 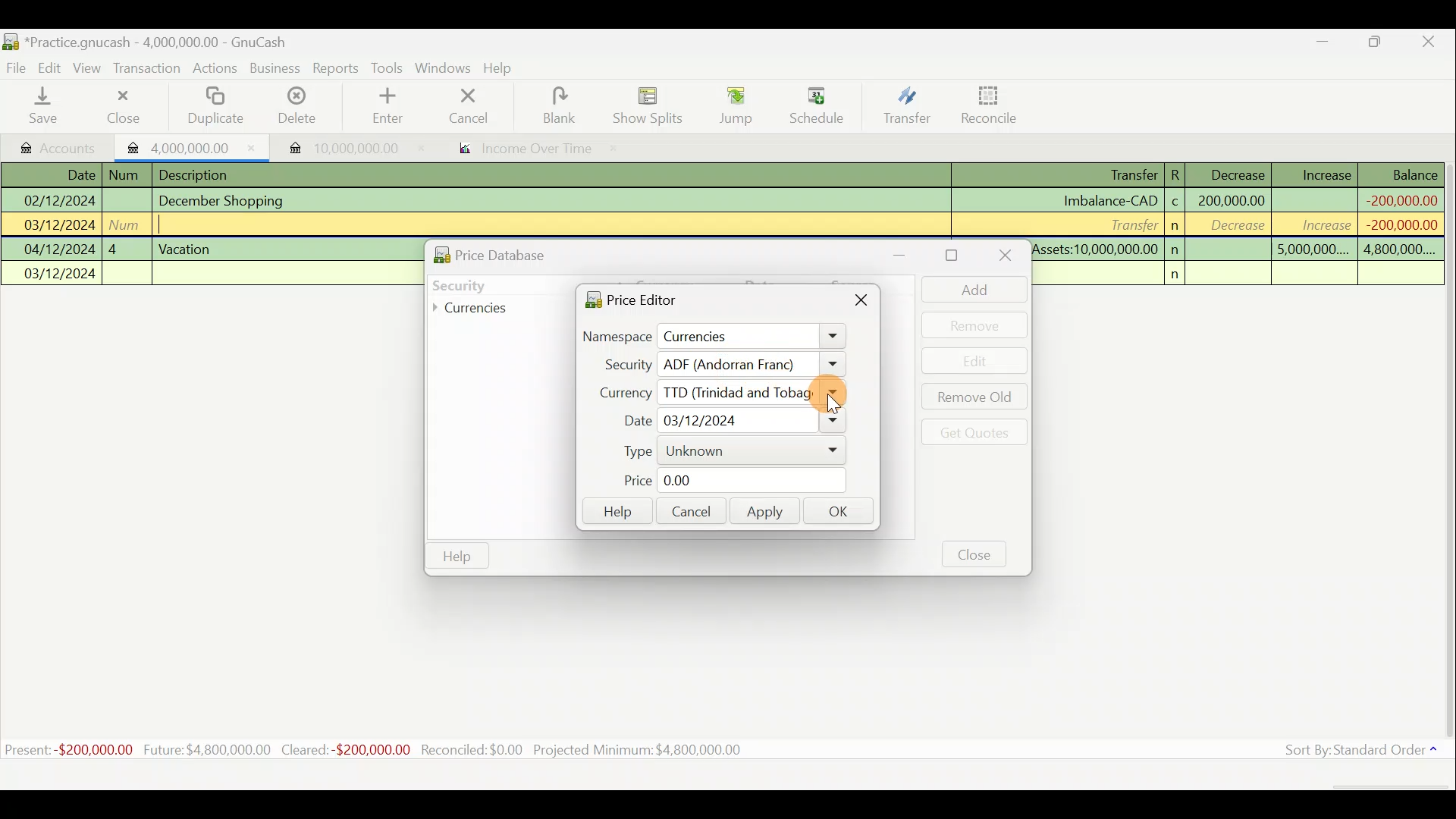 What do you see at coordinates (1396, 224) in the screenshot?
I see `-200,000,000` at bounding box center [1396, 224].